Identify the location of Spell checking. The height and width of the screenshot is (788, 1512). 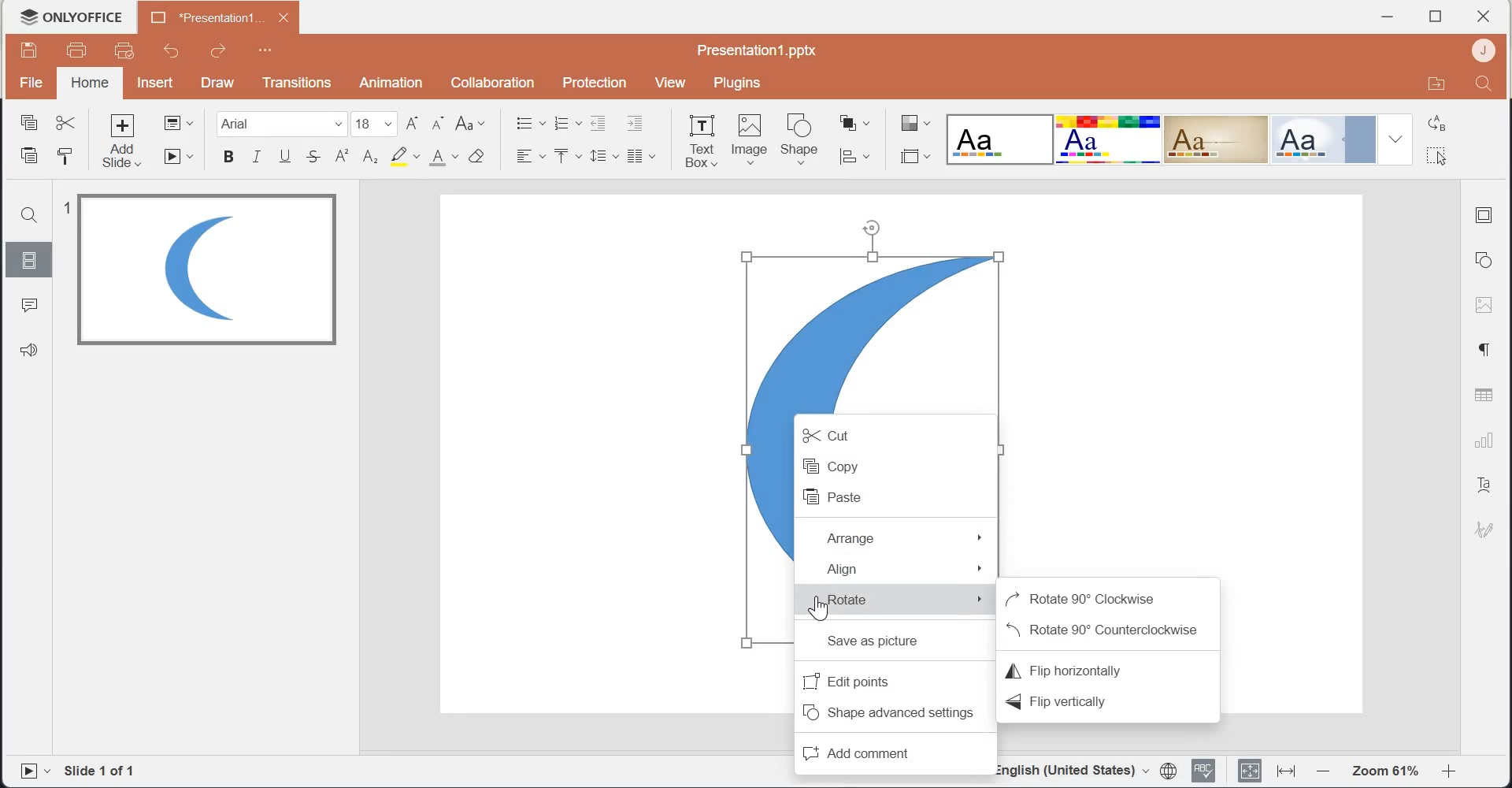
(1206, 771).